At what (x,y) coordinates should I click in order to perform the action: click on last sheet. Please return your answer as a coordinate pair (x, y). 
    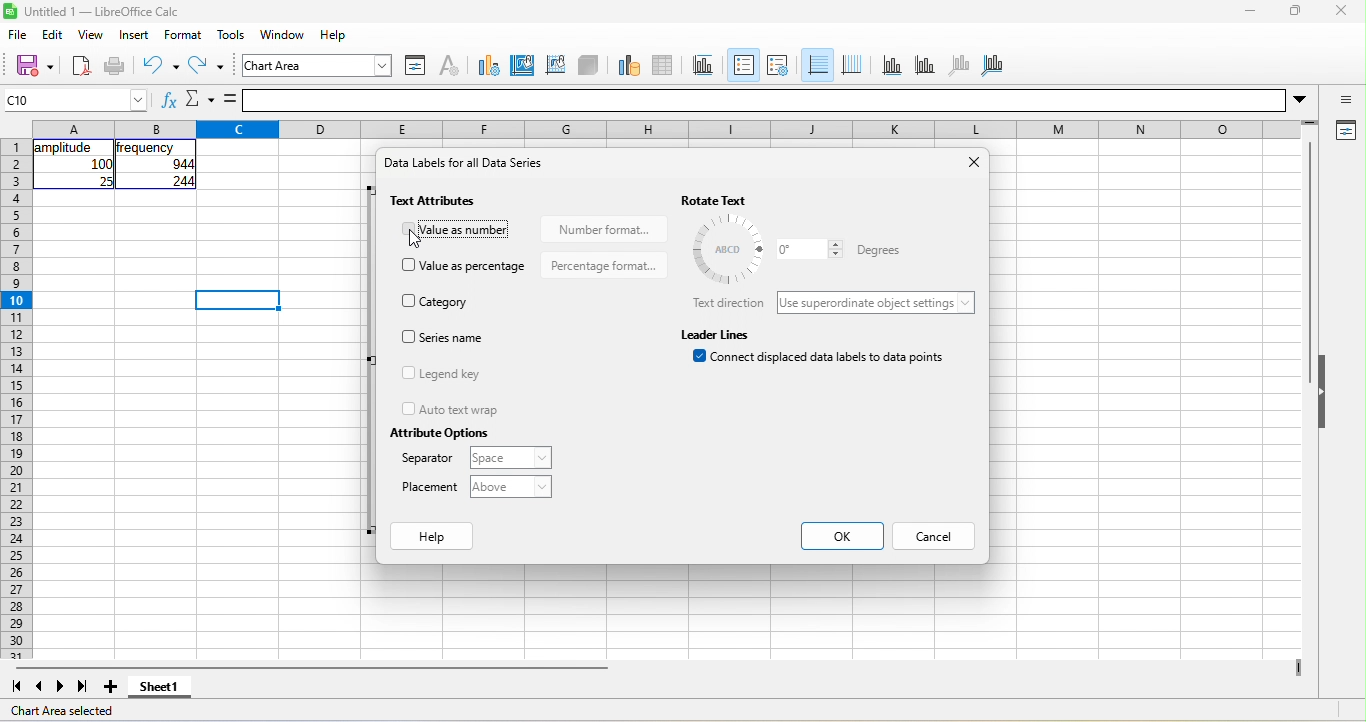
    Looking at the image, I should click on (83, 687).